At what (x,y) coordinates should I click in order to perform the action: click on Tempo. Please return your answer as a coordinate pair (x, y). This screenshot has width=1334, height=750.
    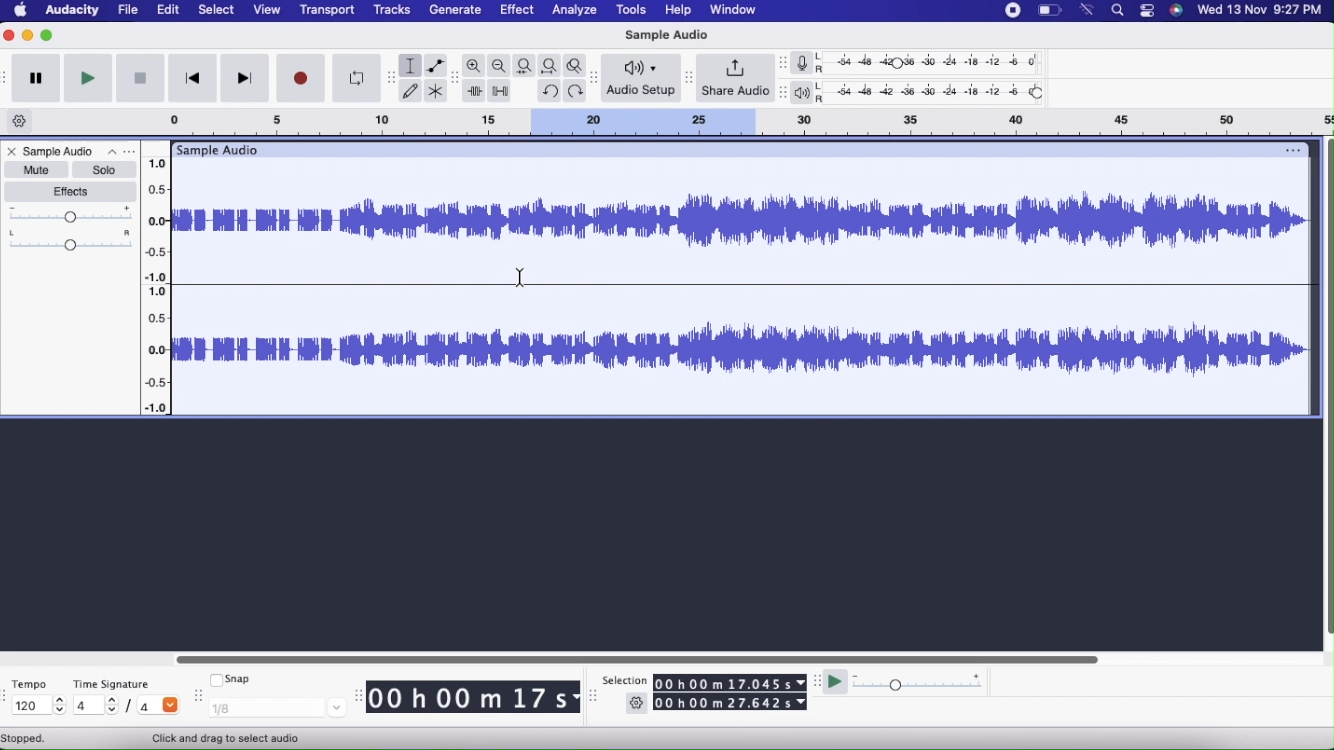
    Looking at the image, I should click on (34, 682).